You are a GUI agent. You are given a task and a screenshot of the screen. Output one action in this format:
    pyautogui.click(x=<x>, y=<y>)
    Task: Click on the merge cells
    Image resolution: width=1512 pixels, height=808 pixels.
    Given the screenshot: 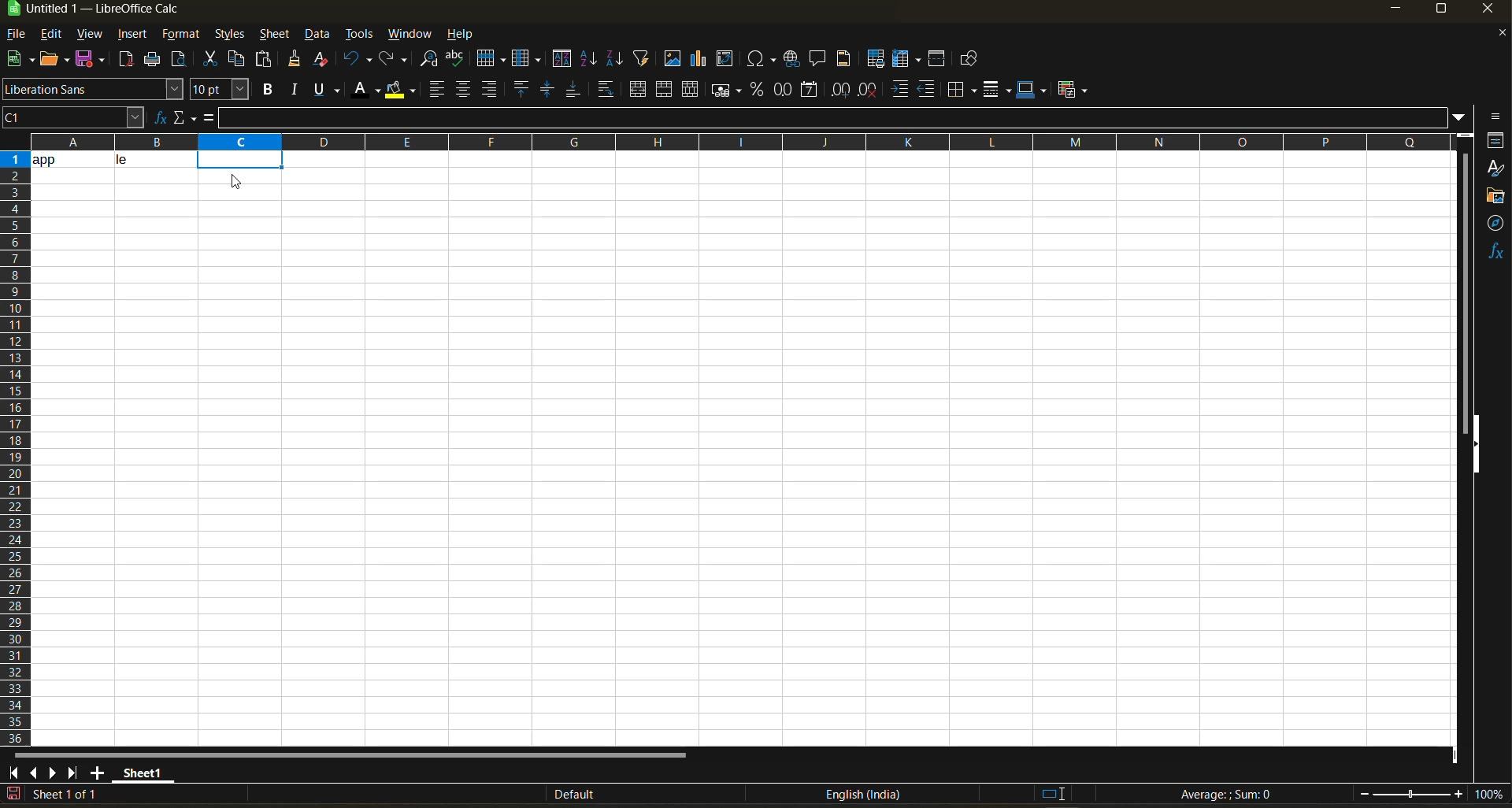 What is the action you would take?
    pyautogui.click(x=666, y=92)
    